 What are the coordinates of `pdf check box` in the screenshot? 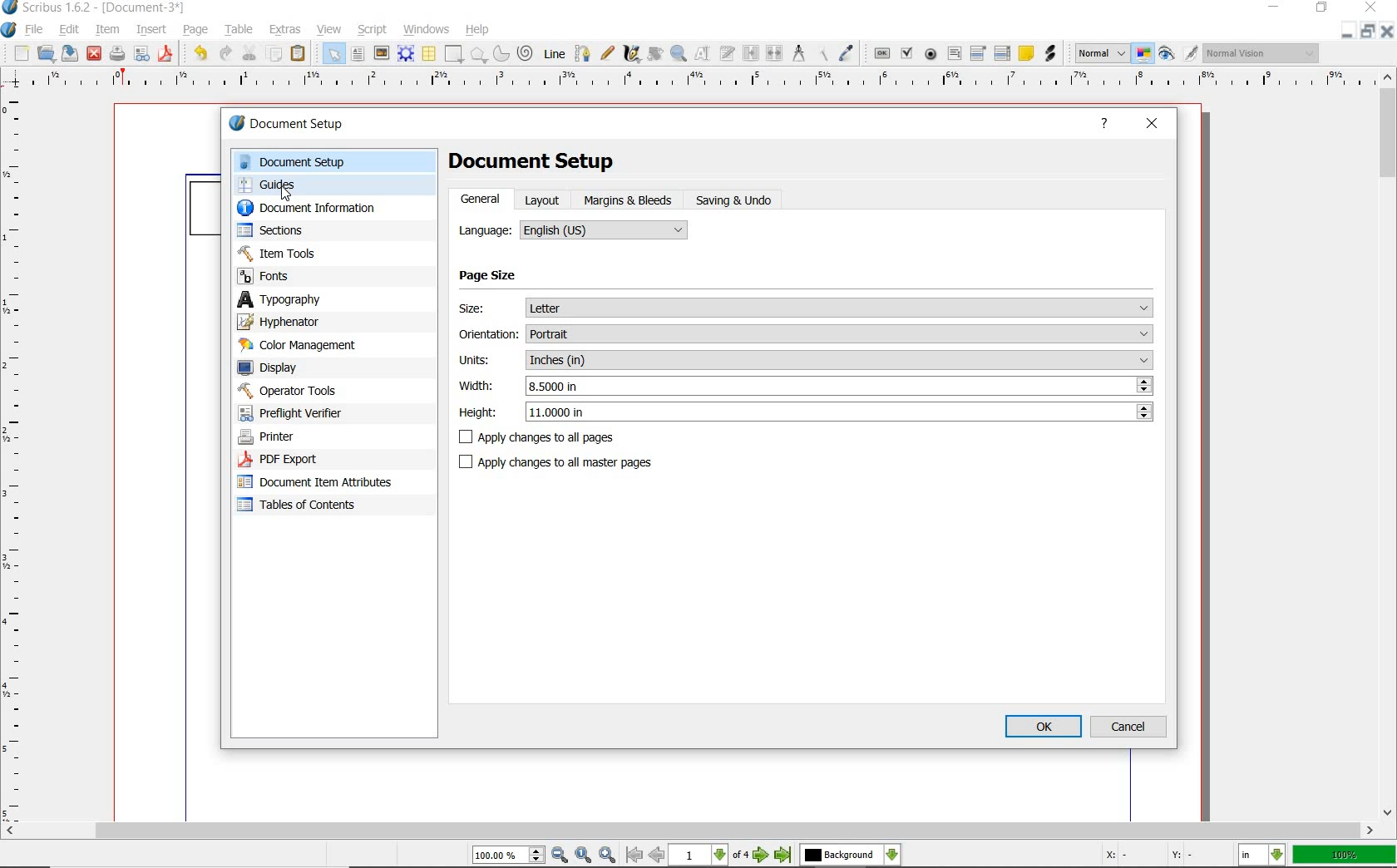 It's located at (906, 52).